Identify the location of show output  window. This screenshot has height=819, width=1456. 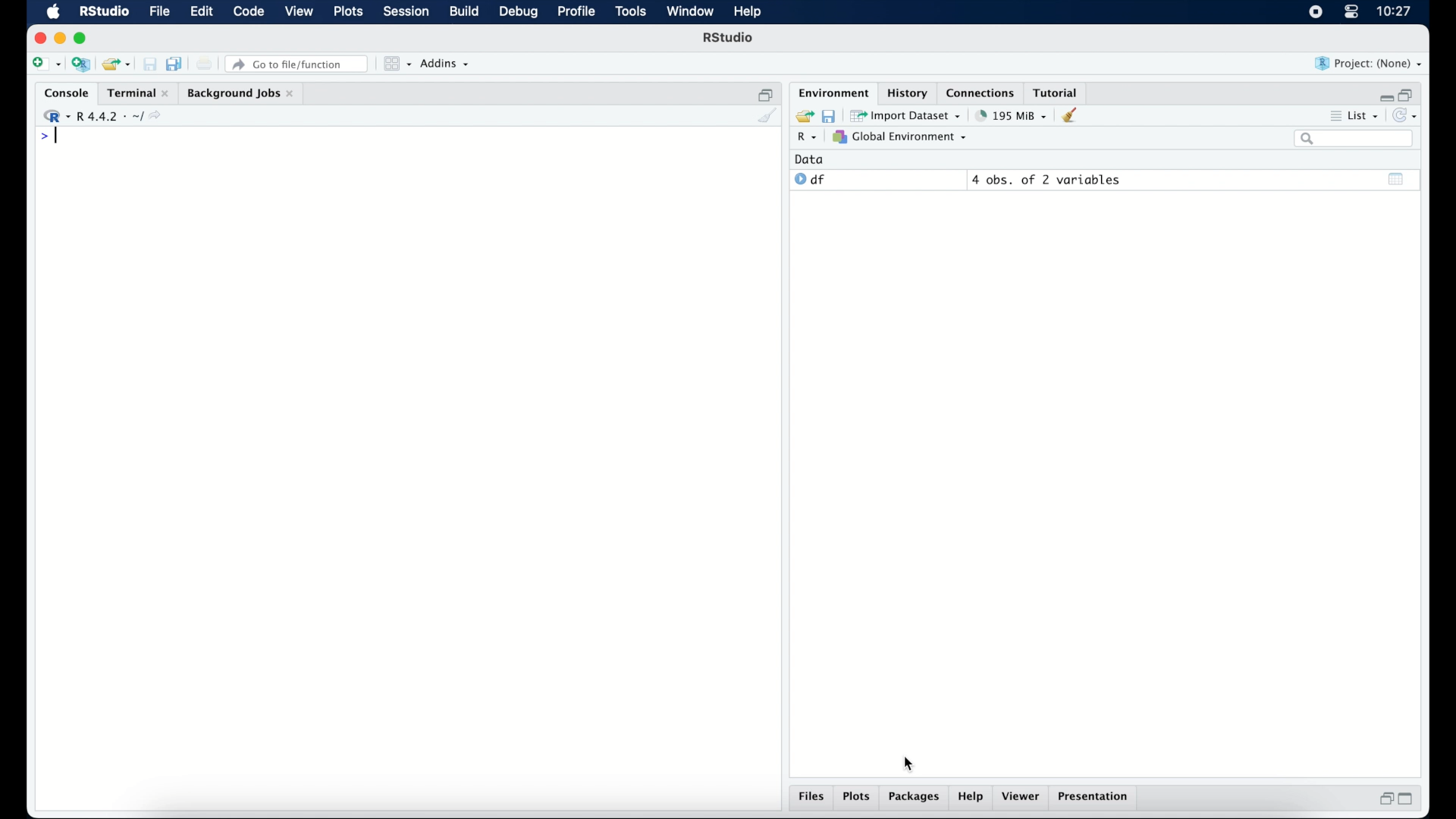
(1397, 178).